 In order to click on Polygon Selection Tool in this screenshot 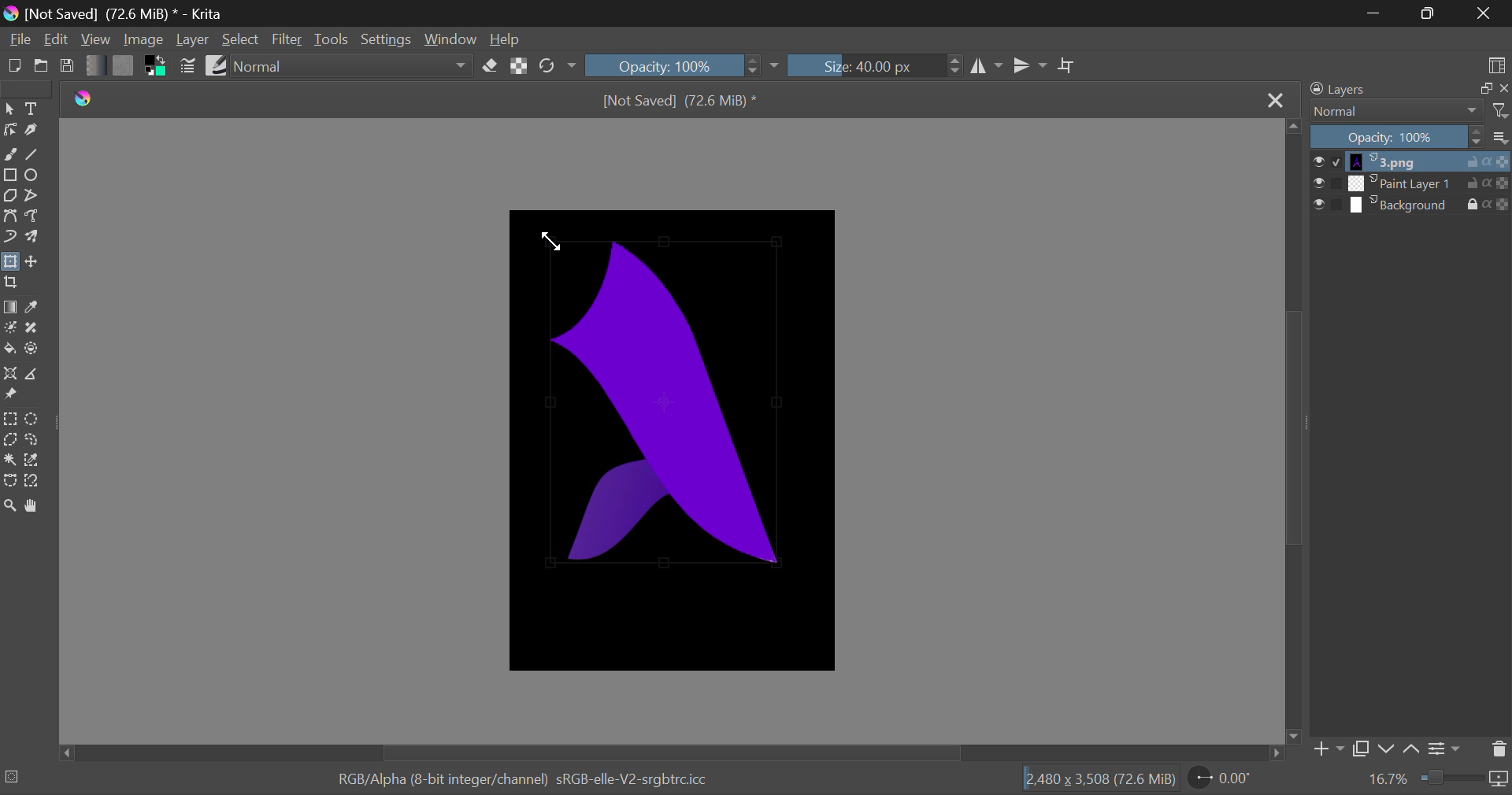, I will do `click(9, 441)`.